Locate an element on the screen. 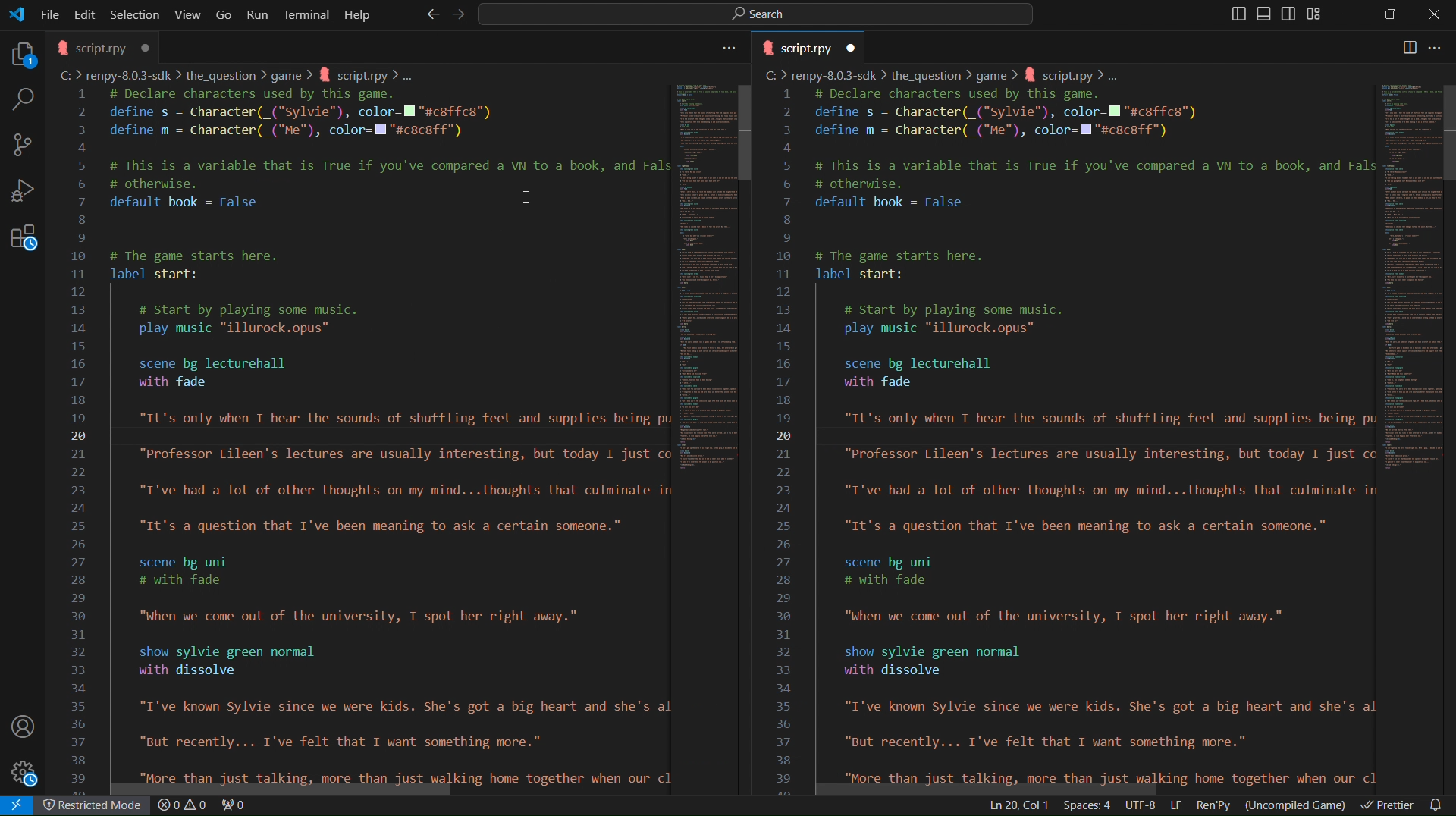 Image resolution: width=1456 pixels, height=816 pixels. Help is located at coordinates (357, 14).